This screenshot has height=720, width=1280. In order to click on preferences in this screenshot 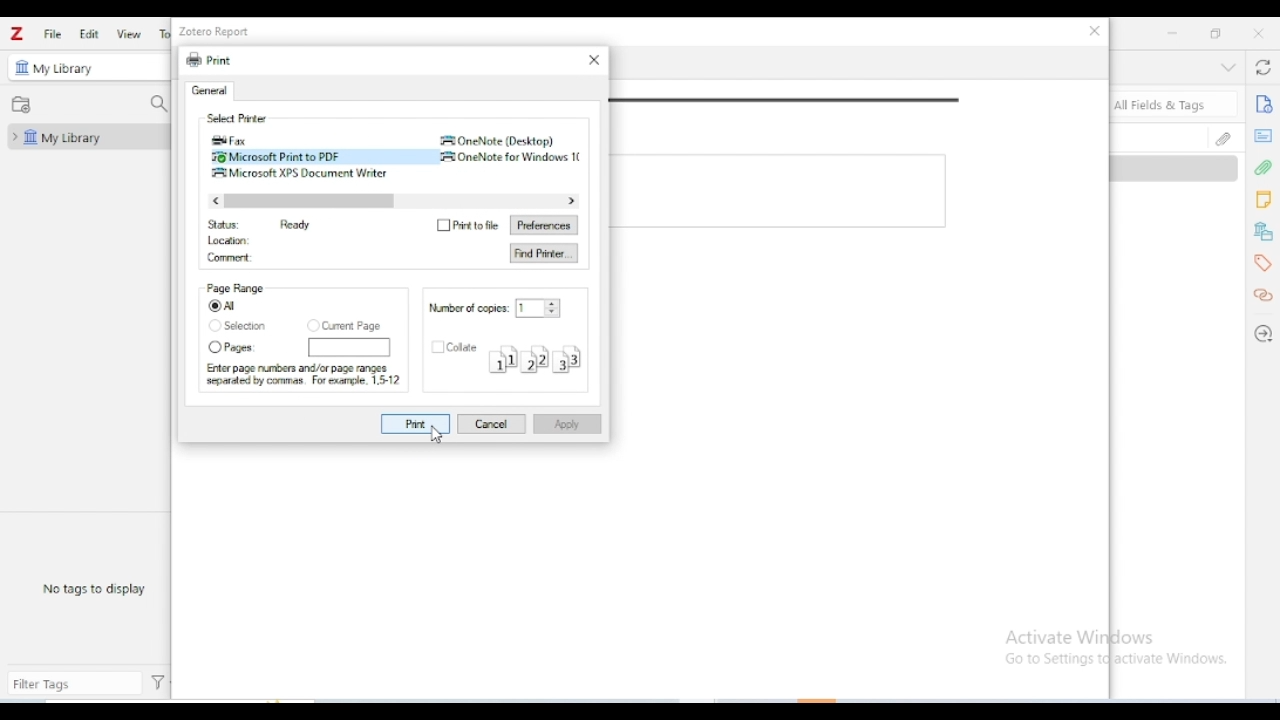, I will do `click(542, 224)`.